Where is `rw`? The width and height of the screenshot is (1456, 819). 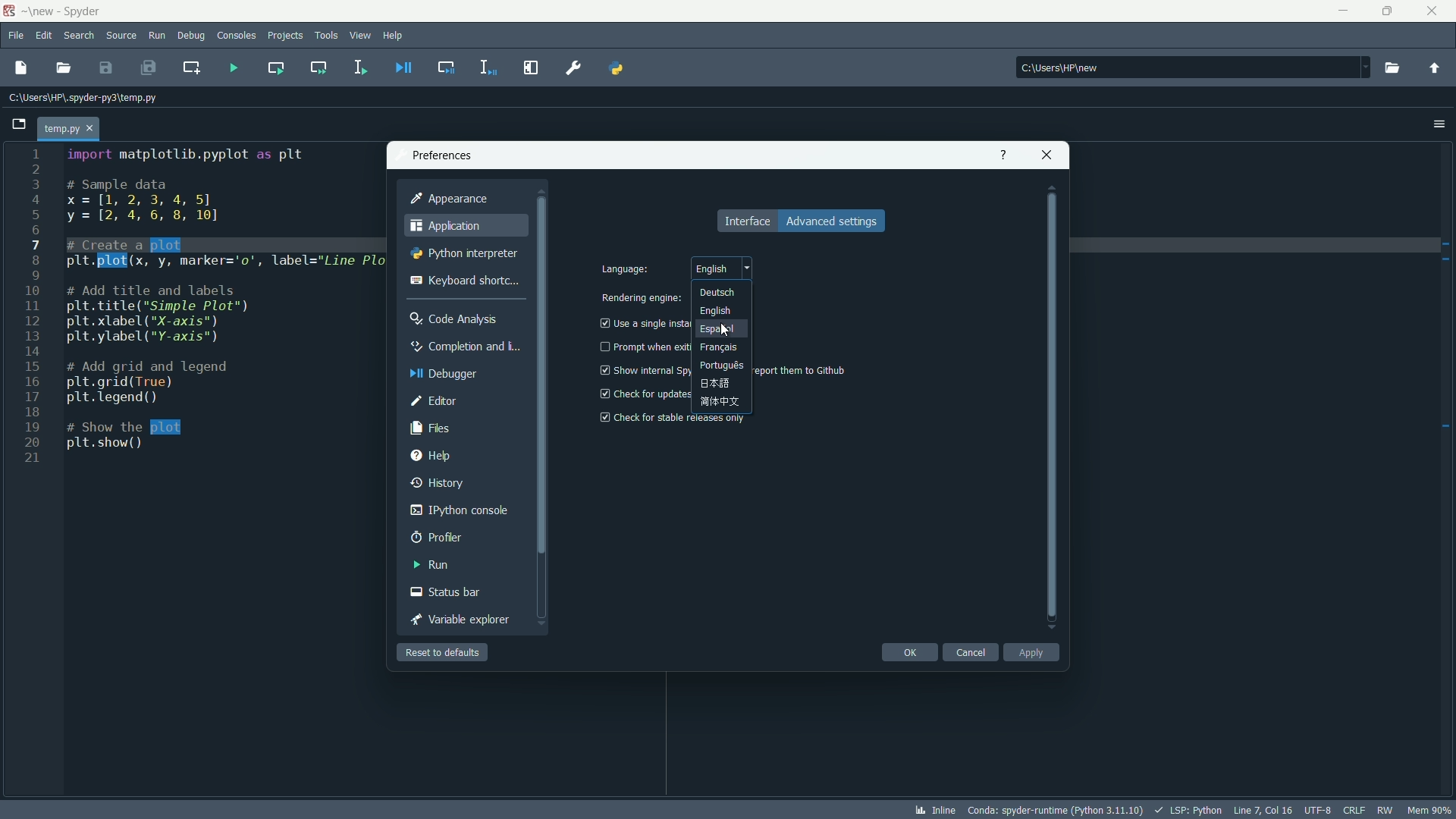 rw is located at coordinates (1385, 808).